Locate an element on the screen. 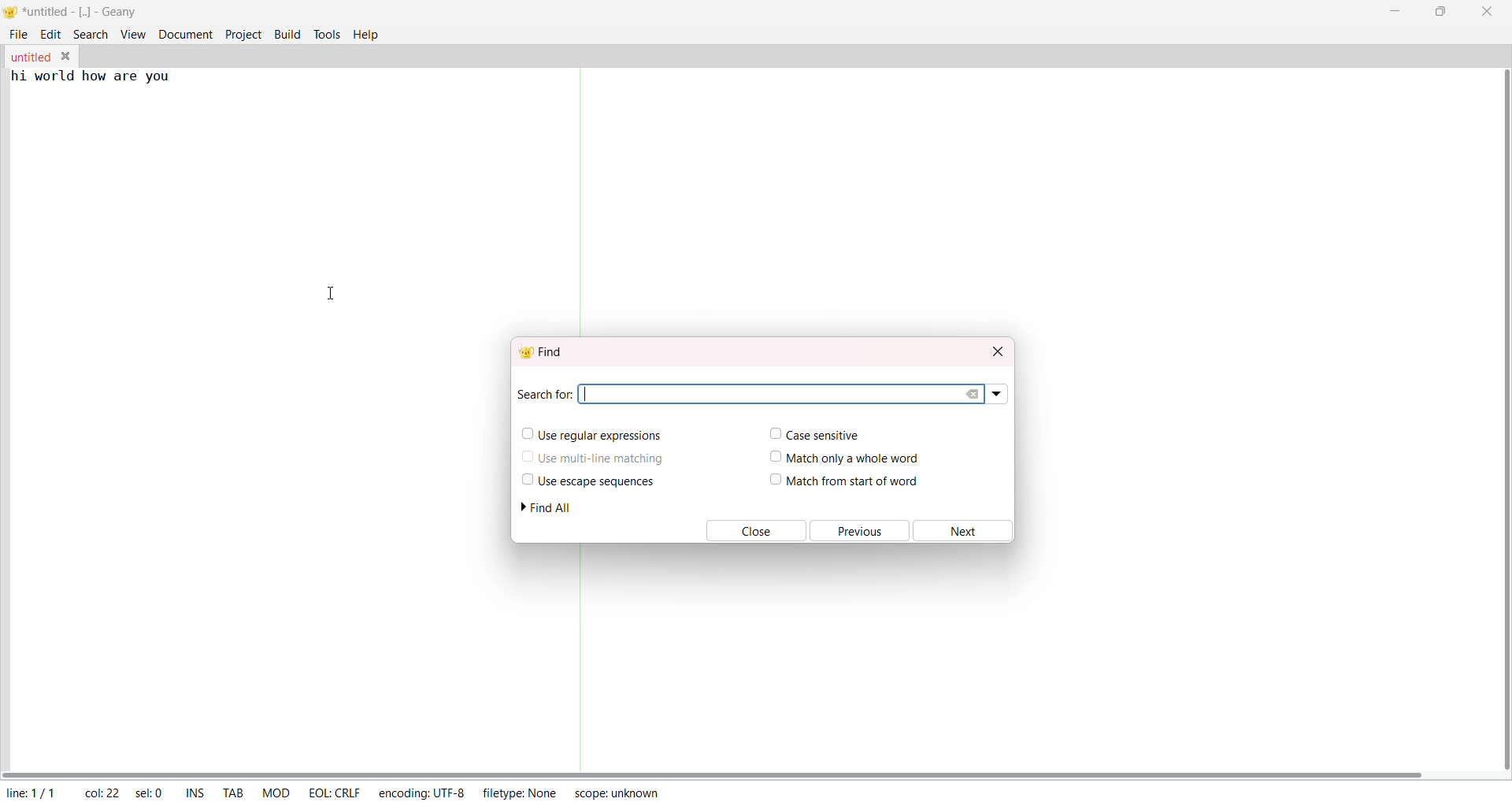 Image resolution: width=1512 pixels, height=802 pixels. ins is located at coordinates (195, 792).